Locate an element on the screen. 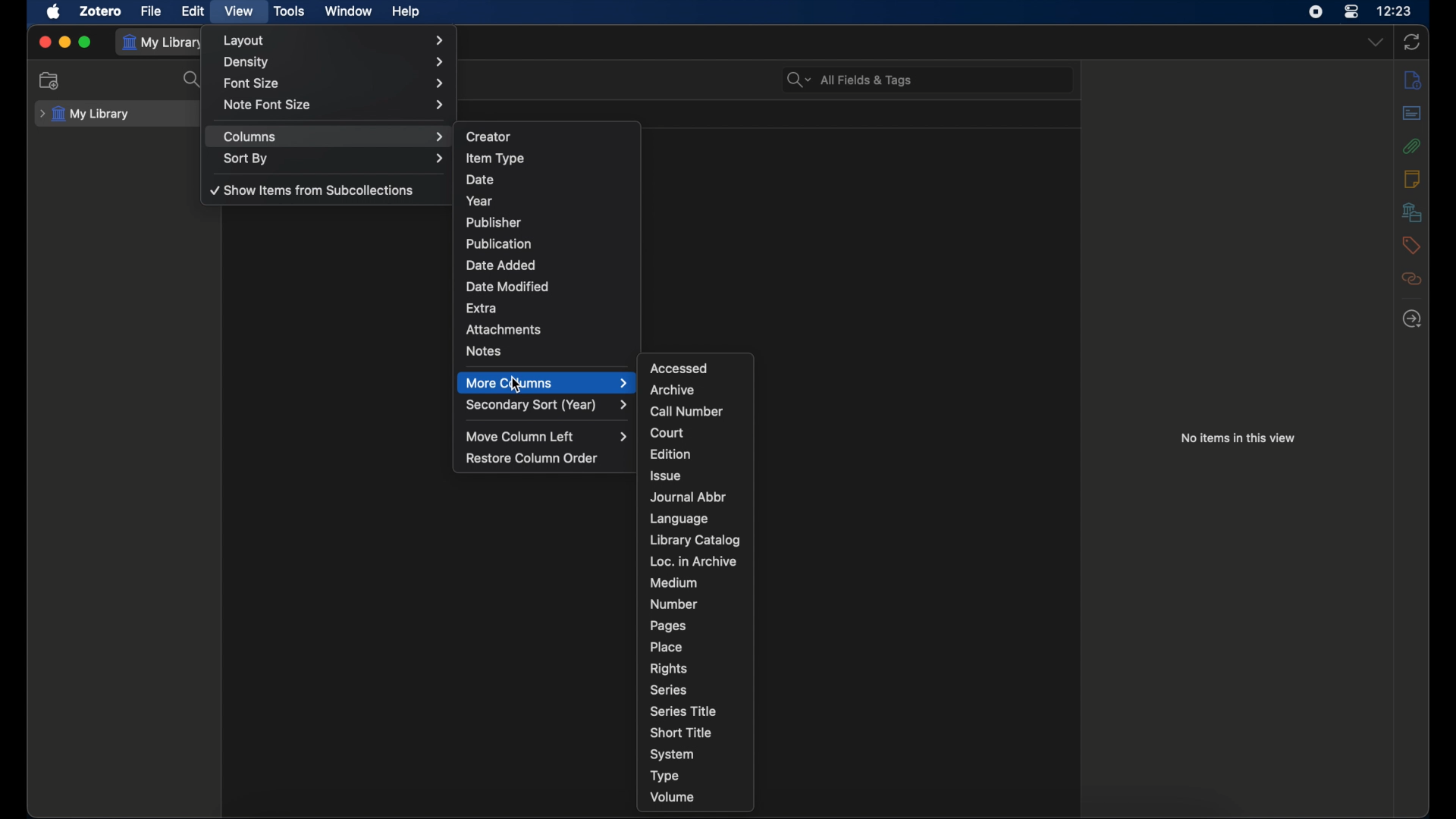 The image size is (1456, 819). volume is located at coordinates (673, 797).